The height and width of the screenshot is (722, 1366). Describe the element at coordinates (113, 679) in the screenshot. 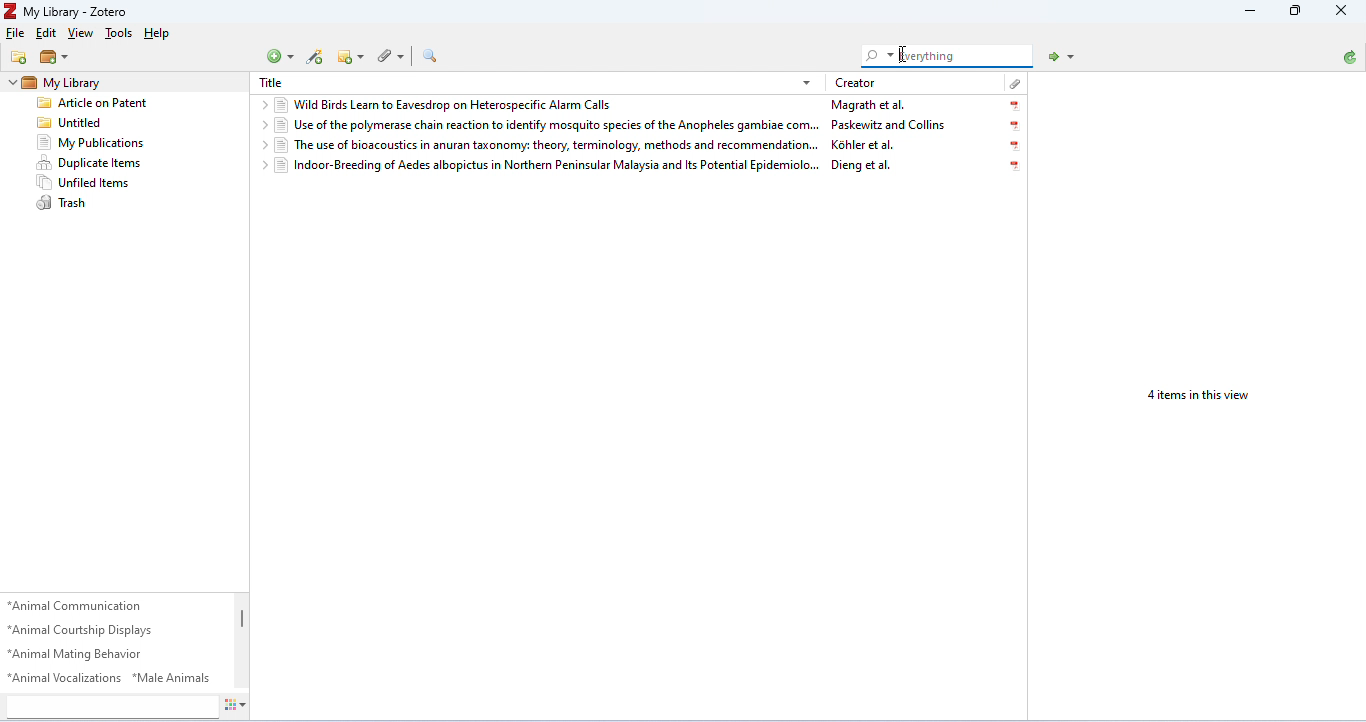

I see `*Animal Vocalizations *Male Animals` at that location.